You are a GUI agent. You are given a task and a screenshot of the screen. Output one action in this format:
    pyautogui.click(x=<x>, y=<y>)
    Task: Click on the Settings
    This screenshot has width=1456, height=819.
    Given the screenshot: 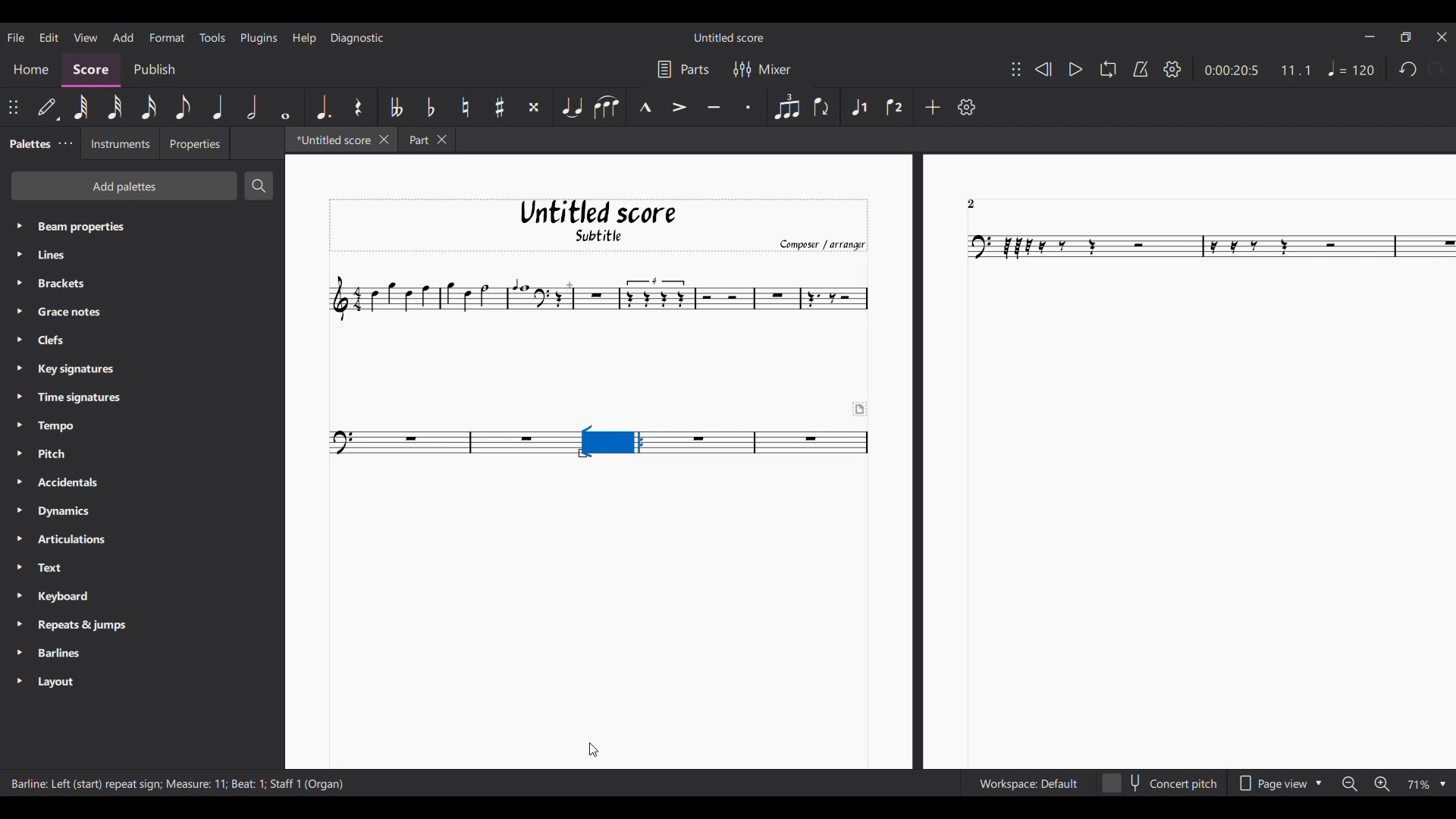 What is the action you would take?
    pyautogui.click(x=967, y=106)
    